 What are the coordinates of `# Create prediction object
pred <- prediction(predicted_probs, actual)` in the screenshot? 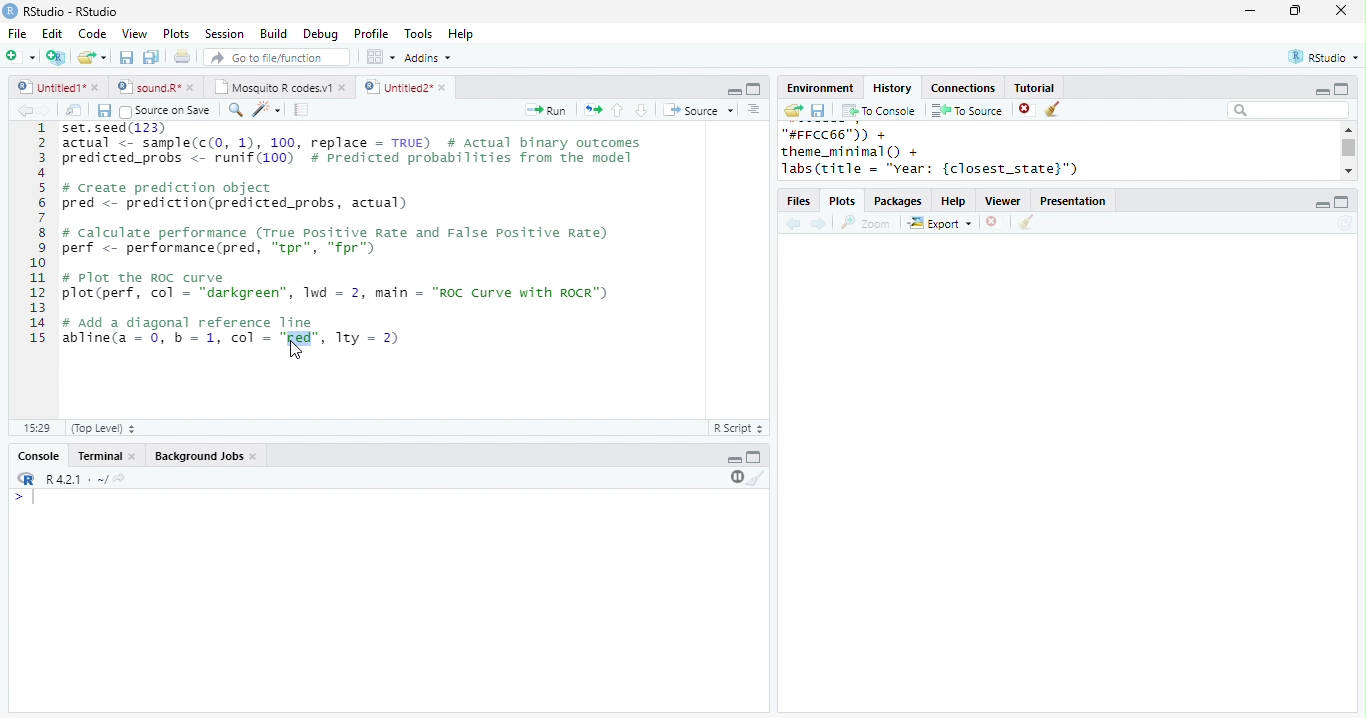 It's located at (236, 196).